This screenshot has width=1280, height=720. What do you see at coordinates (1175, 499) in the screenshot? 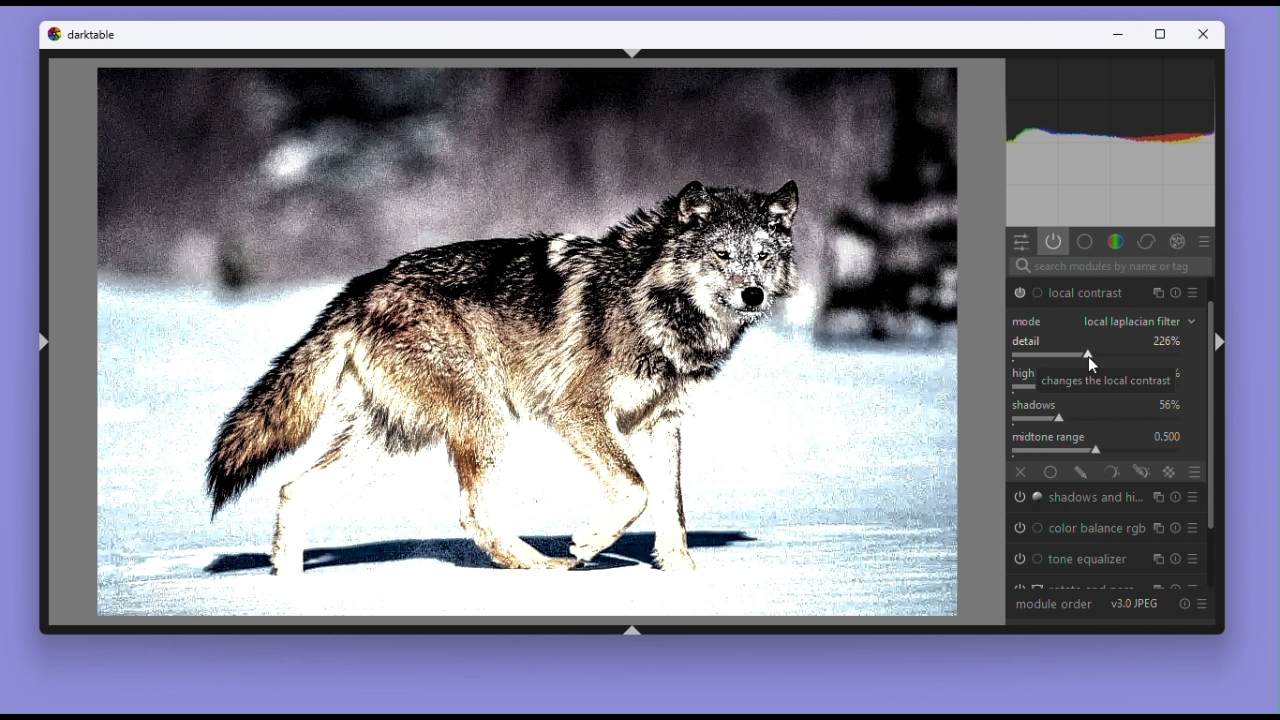
I see `reset parameters` at bounding box center [1175, 499].